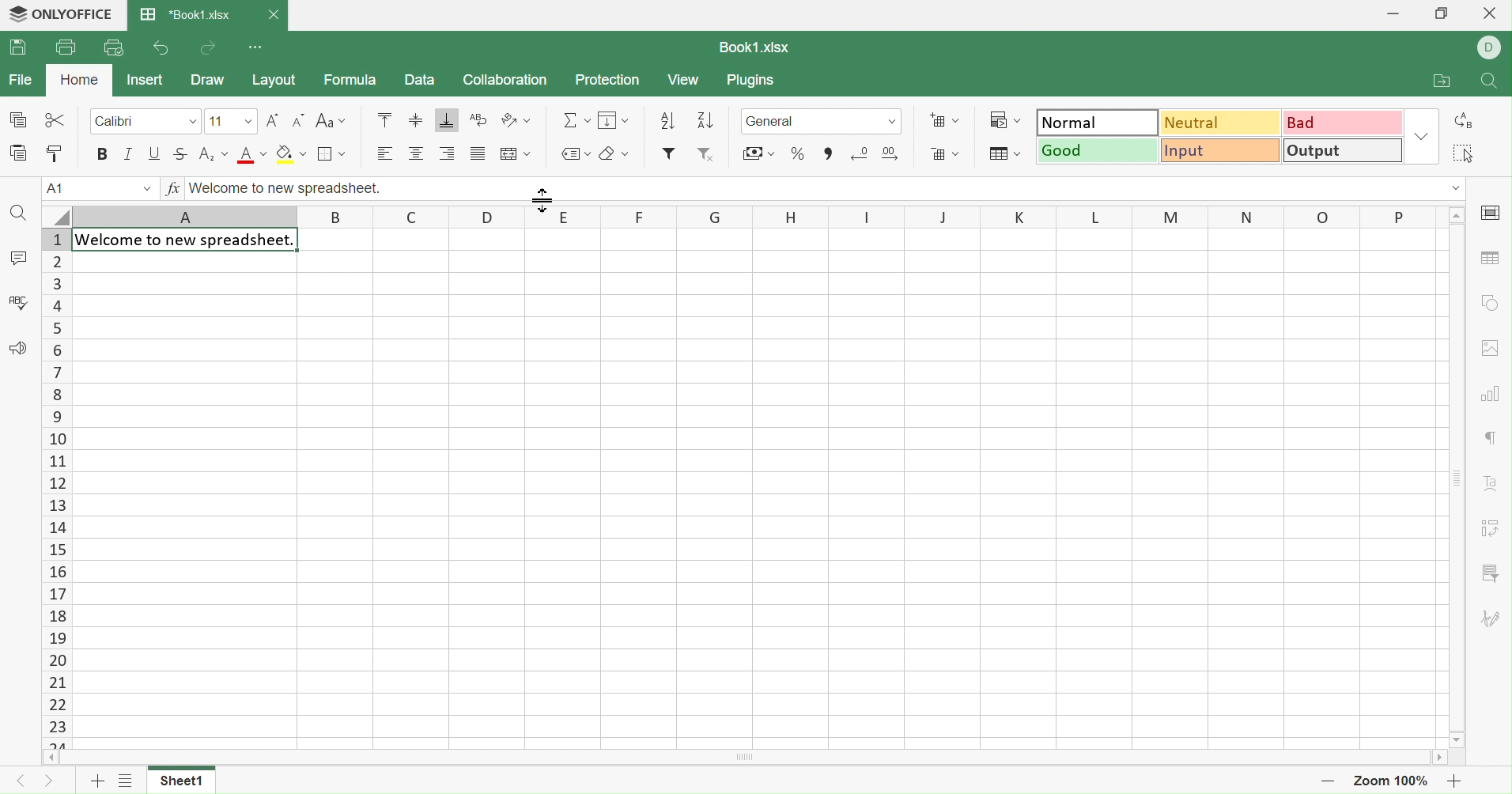 The width and height of the screenshot is (1512, 794). What do you see at coordinates (1098, 151) in the screenshot?
I see `Good` at bounding box center [1098, 151].